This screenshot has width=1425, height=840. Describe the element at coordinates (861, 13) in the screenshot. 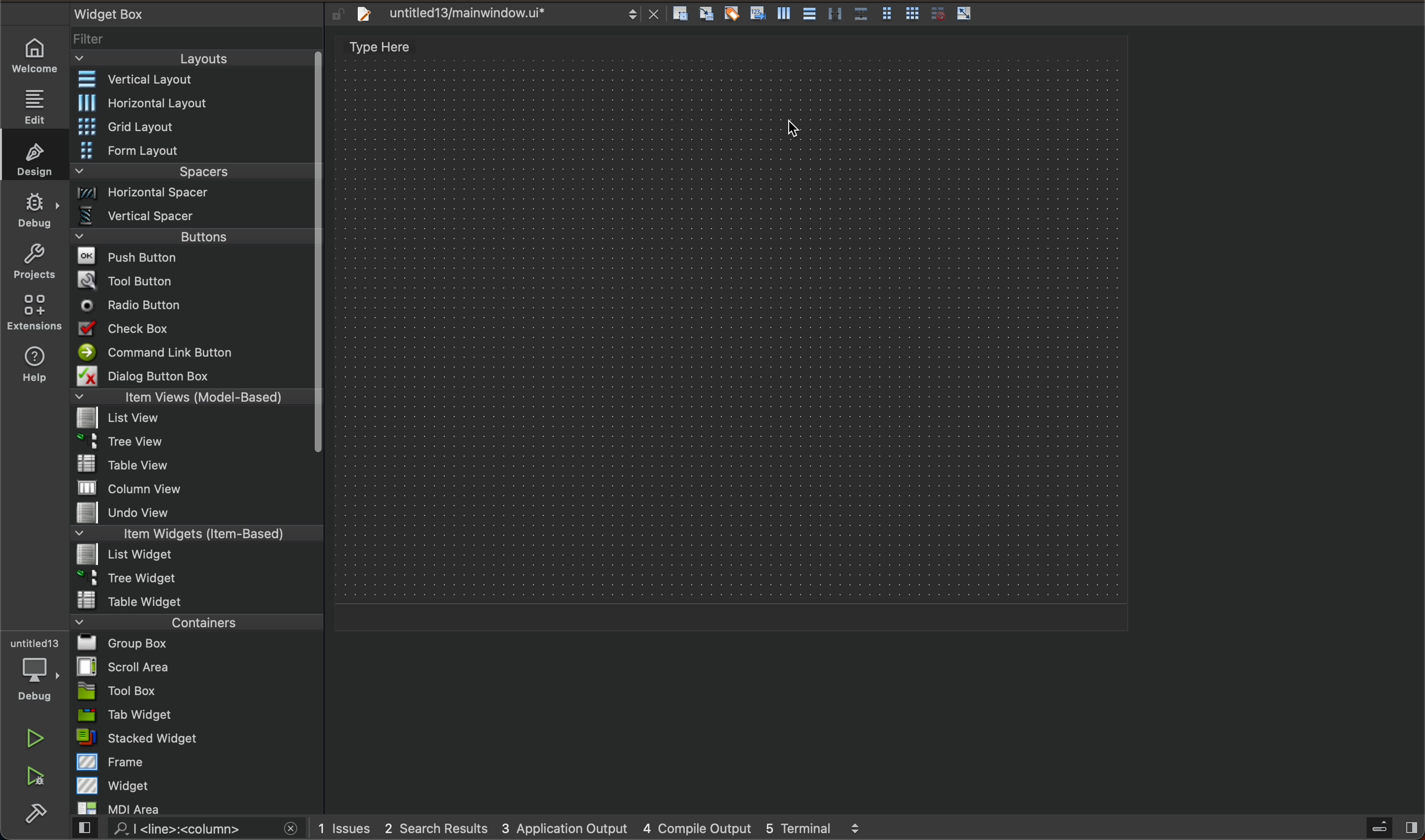

I see `` at that location.